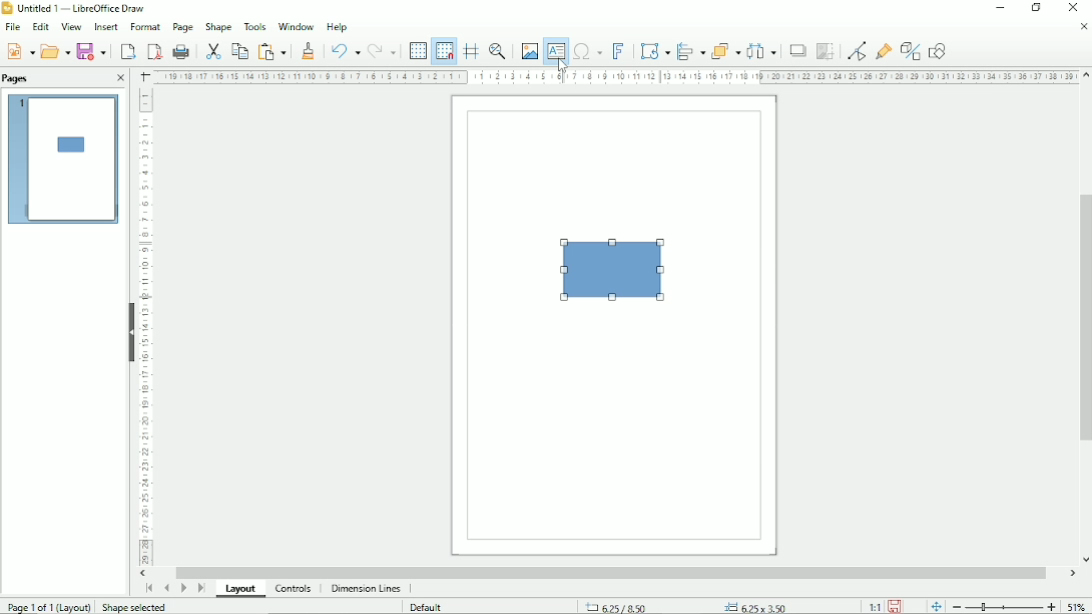  Describe the element at coordinates (1083, 317) in the screenshot. I see `Vertical scrollbar` at that location.